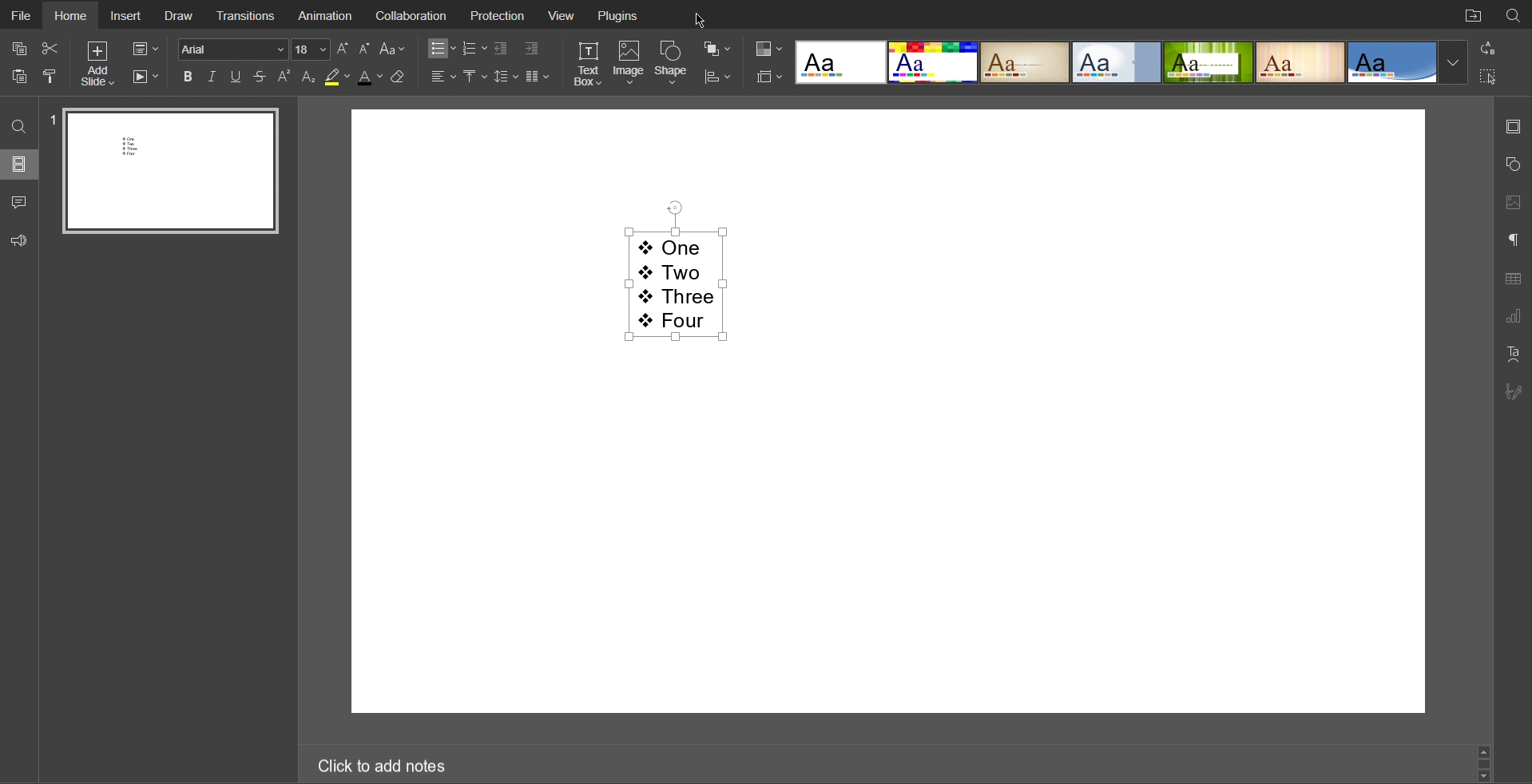 This screenshot has height=784, width=1532. Describe the element at coordinates (213, 77) in the screenshot. I see `Italics` at that location.